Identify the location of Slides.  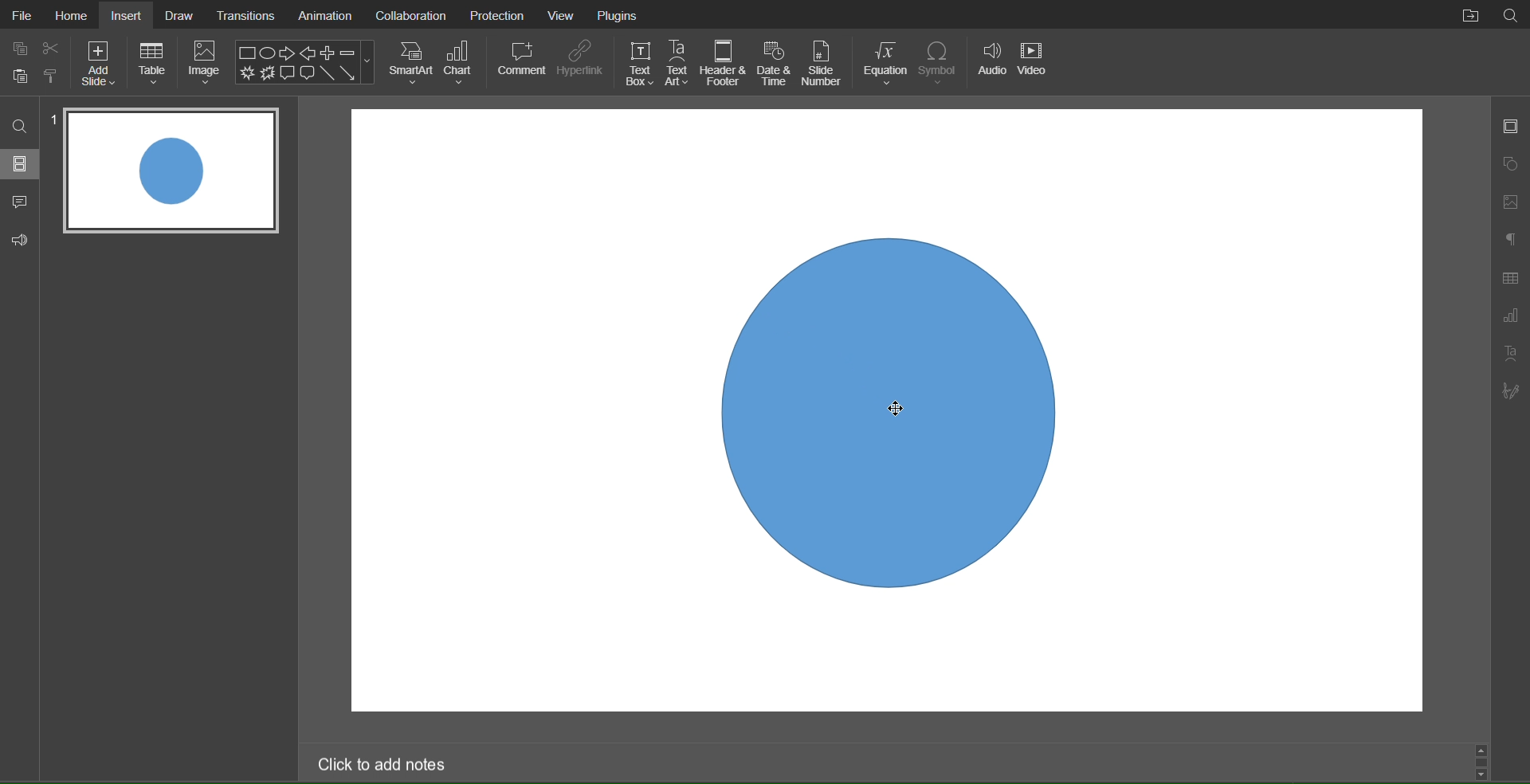
(19, 165).